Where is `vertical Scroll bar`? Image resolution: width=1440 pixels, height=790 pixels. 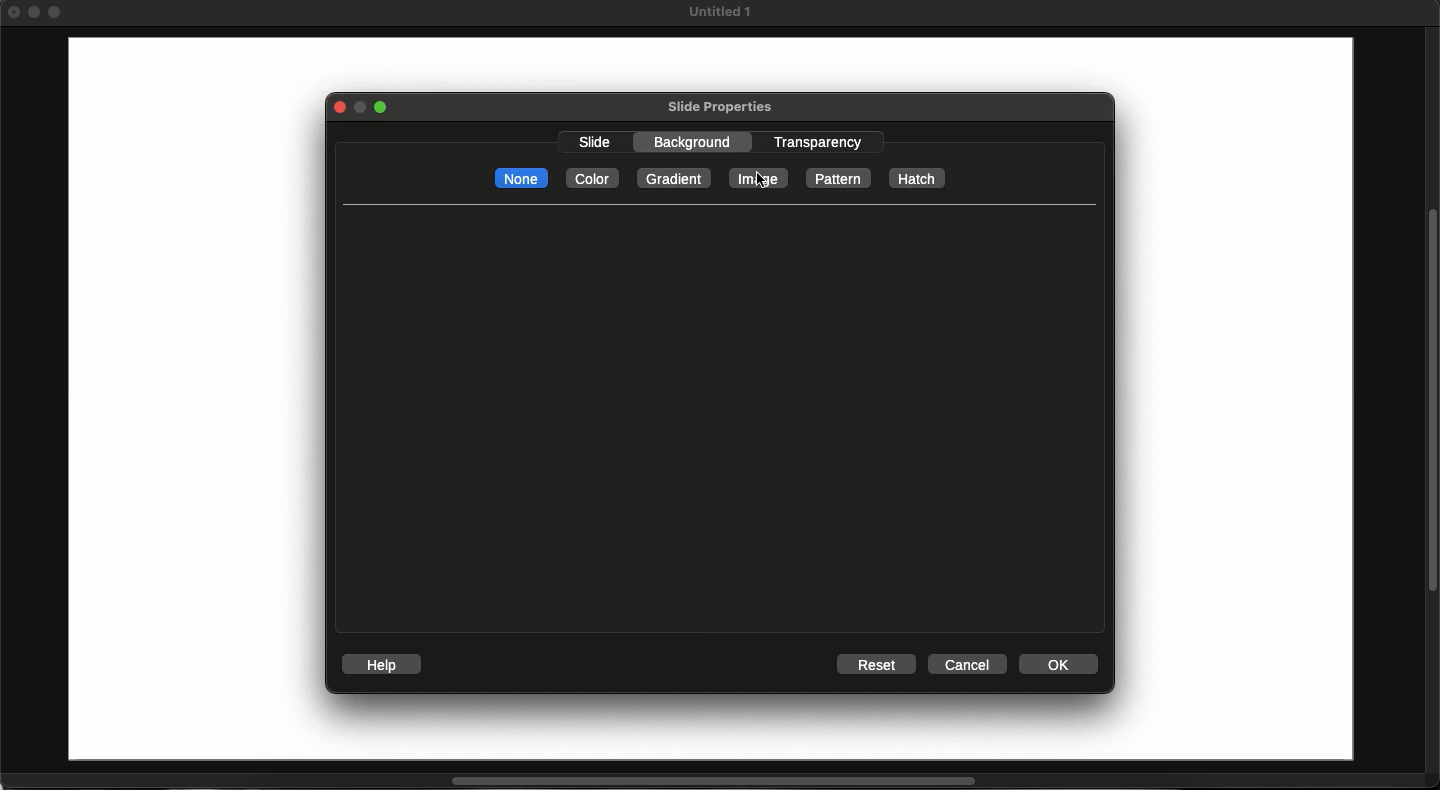 vertical Scroll bar is located at coordinates (1431, 398).